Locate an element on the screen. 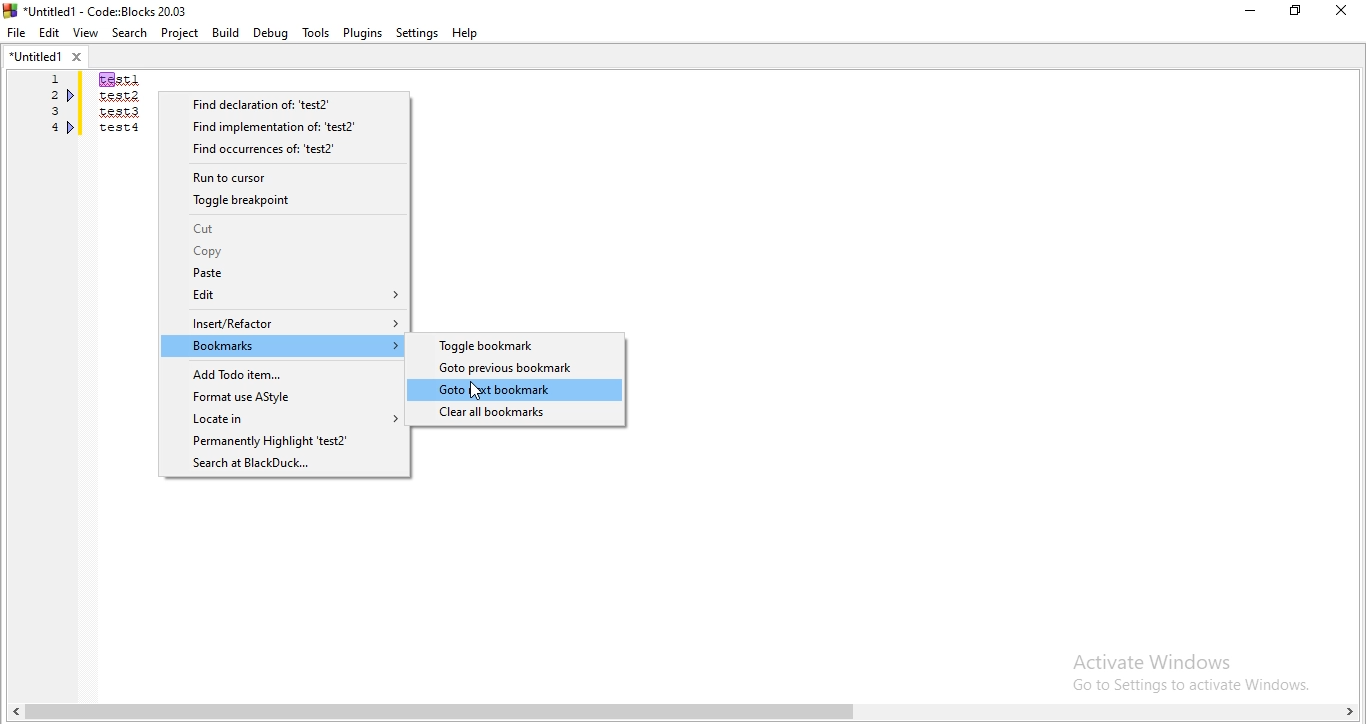 This screenshot has height=724, width=1366. Search at BlackDuck.. is located at coordinates (283, 465).